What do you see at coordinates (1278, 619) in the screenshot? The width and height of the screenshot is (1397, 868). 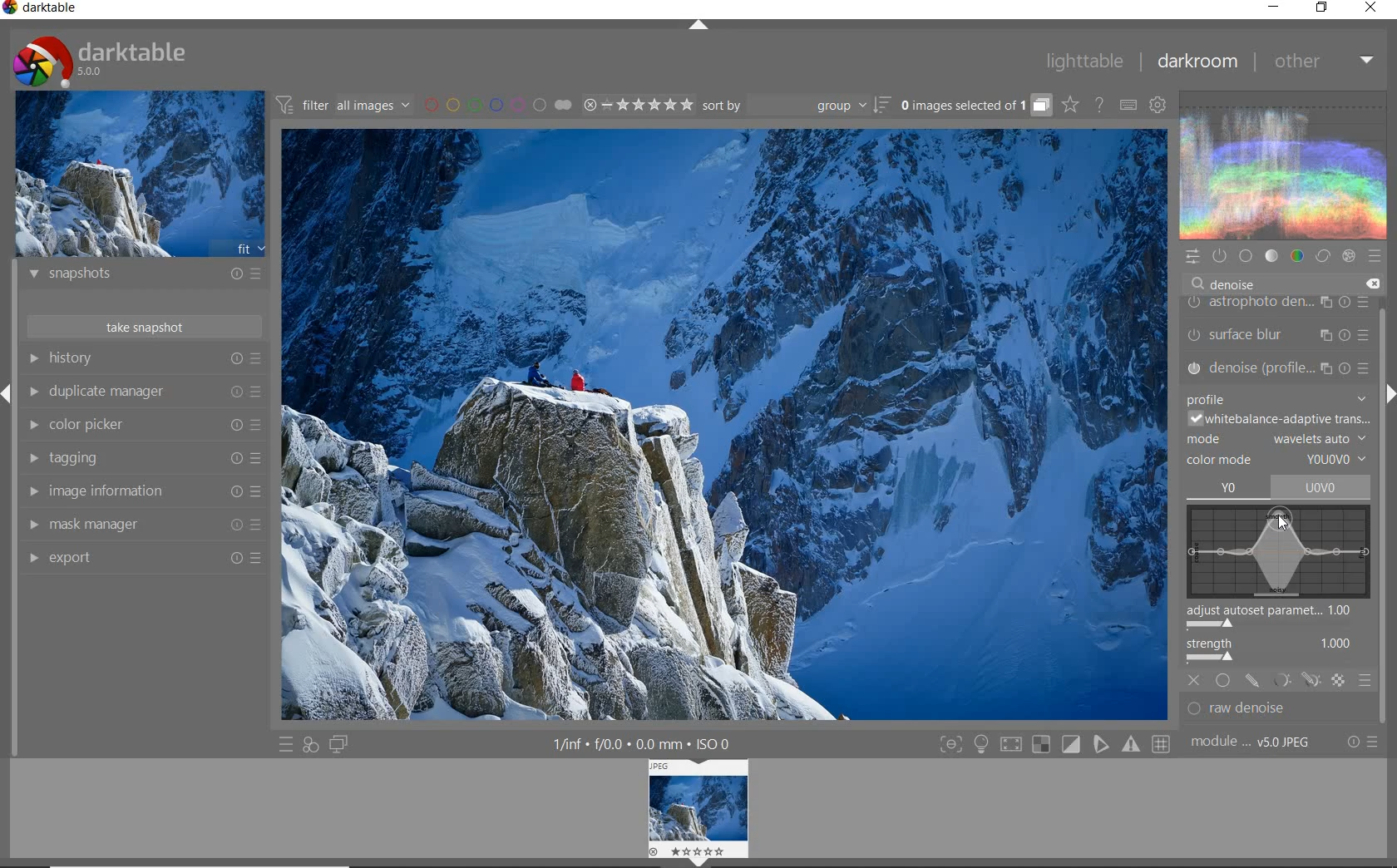 I see `ADJUST AUTOSET PARAMETRIC` at bounding box center [1278, 619].